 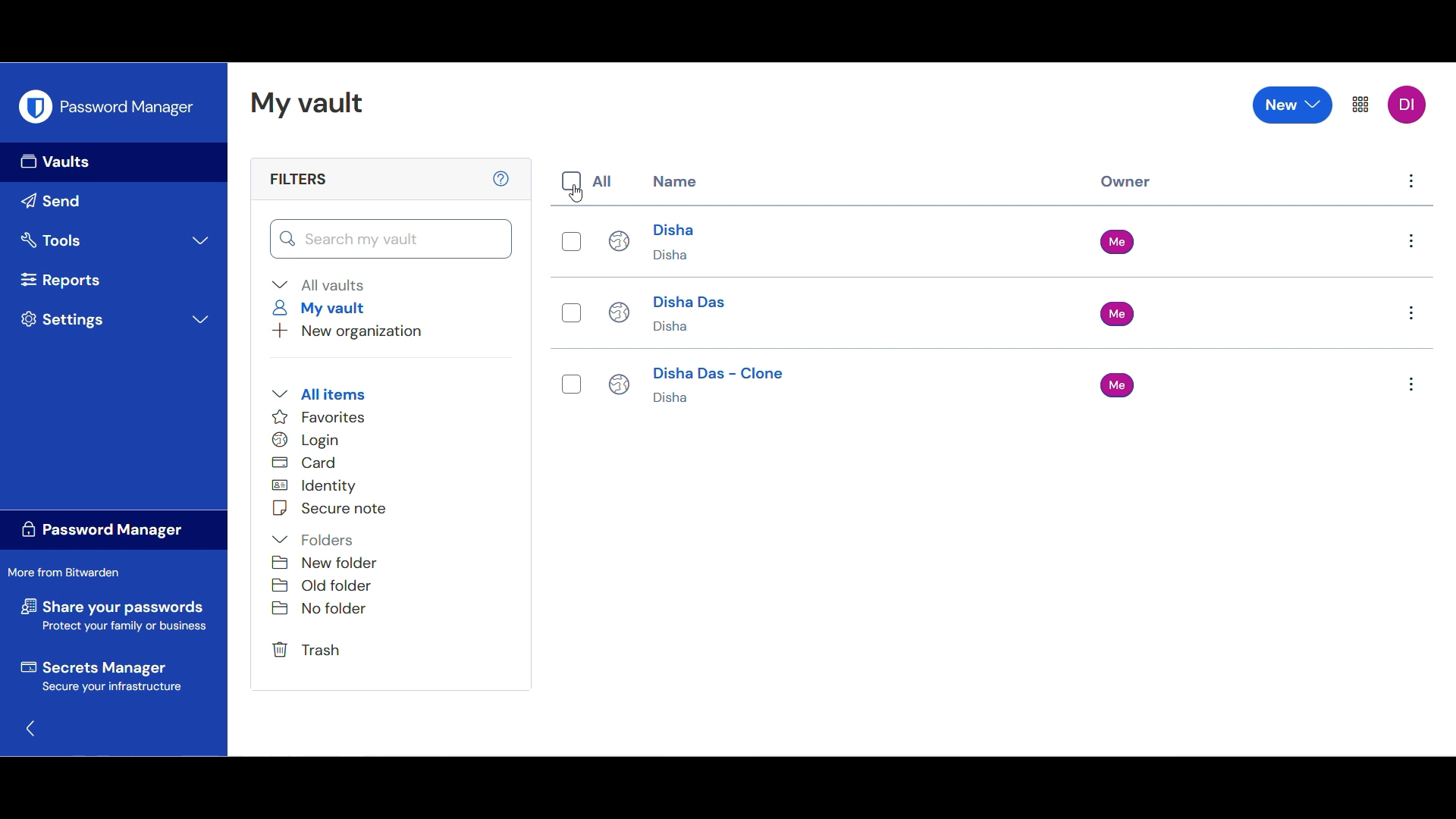 What do you see at coordinates (654, 240) in the screenshot?
I see `Disha      Disha` at bounding box center [654, 240].